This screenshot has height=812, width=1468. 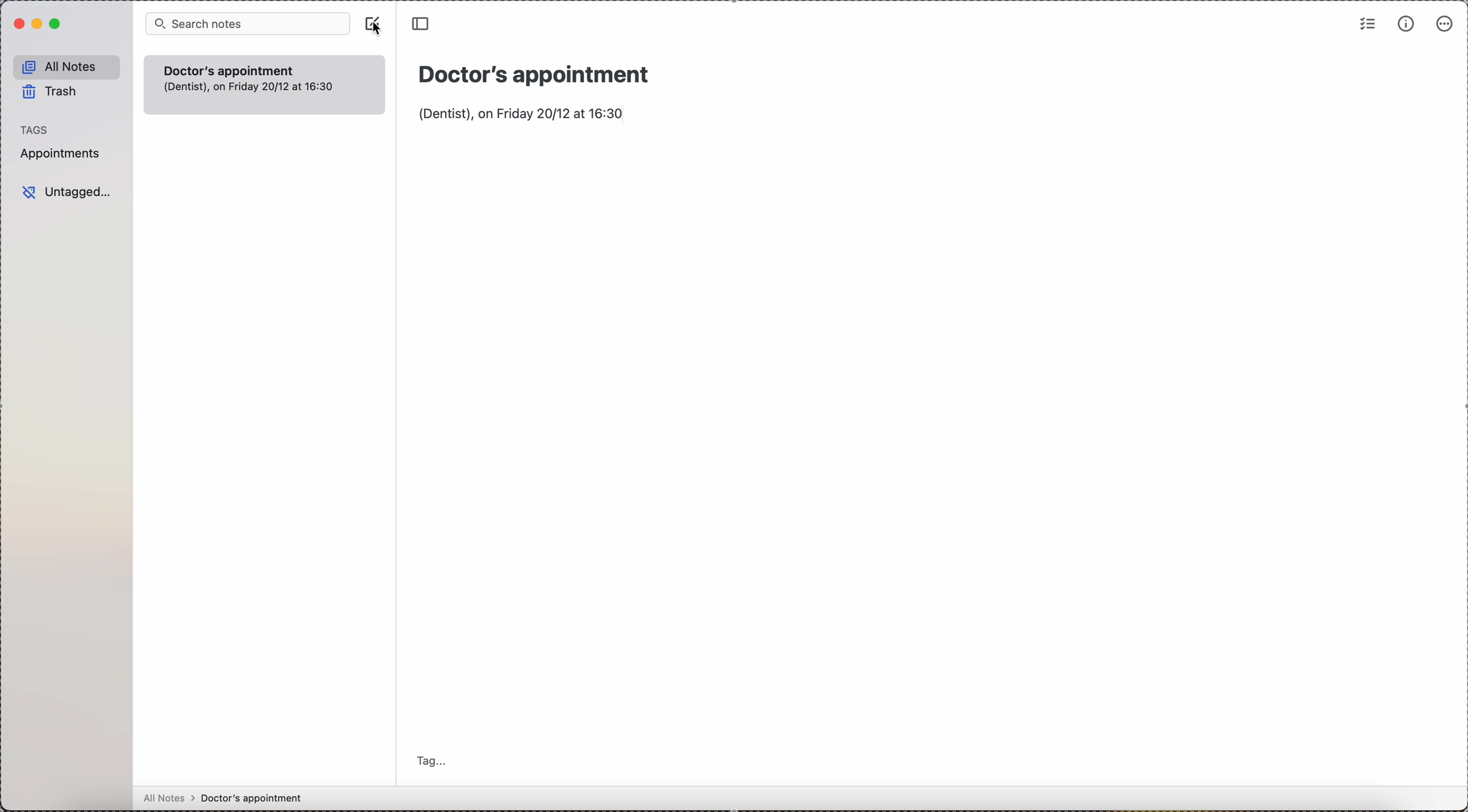 I want to click on trash, so click(x=56, y=91).